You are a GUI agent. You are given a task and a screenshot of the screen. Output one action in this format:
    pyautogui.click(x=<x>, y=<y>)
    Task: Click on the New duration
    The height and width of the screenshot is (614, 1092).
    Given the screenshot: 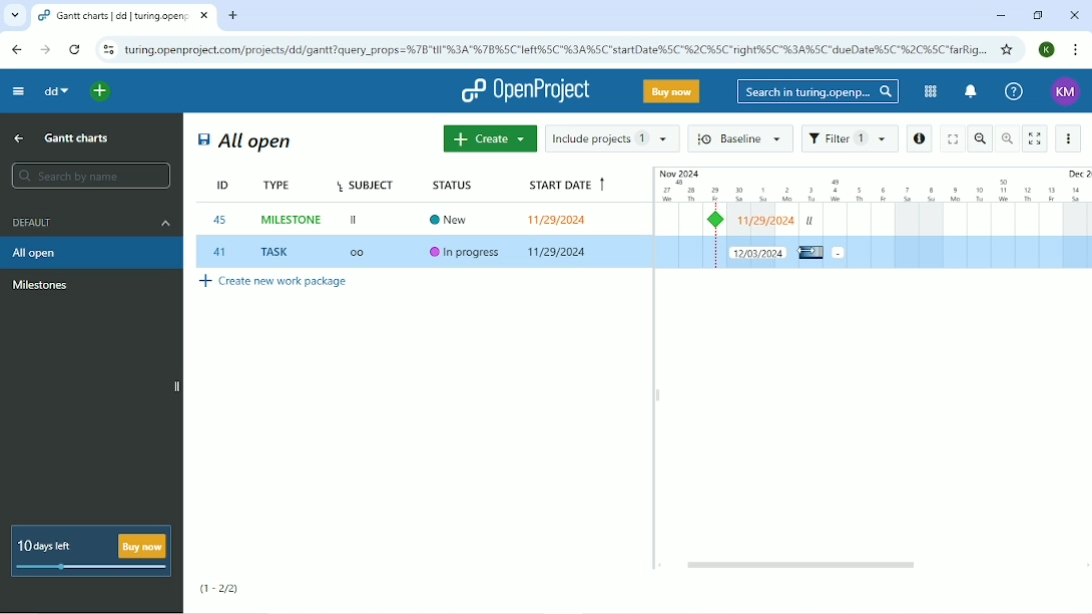 What is the action you would take?
    pyautogui.click(x=758, y=252)
    